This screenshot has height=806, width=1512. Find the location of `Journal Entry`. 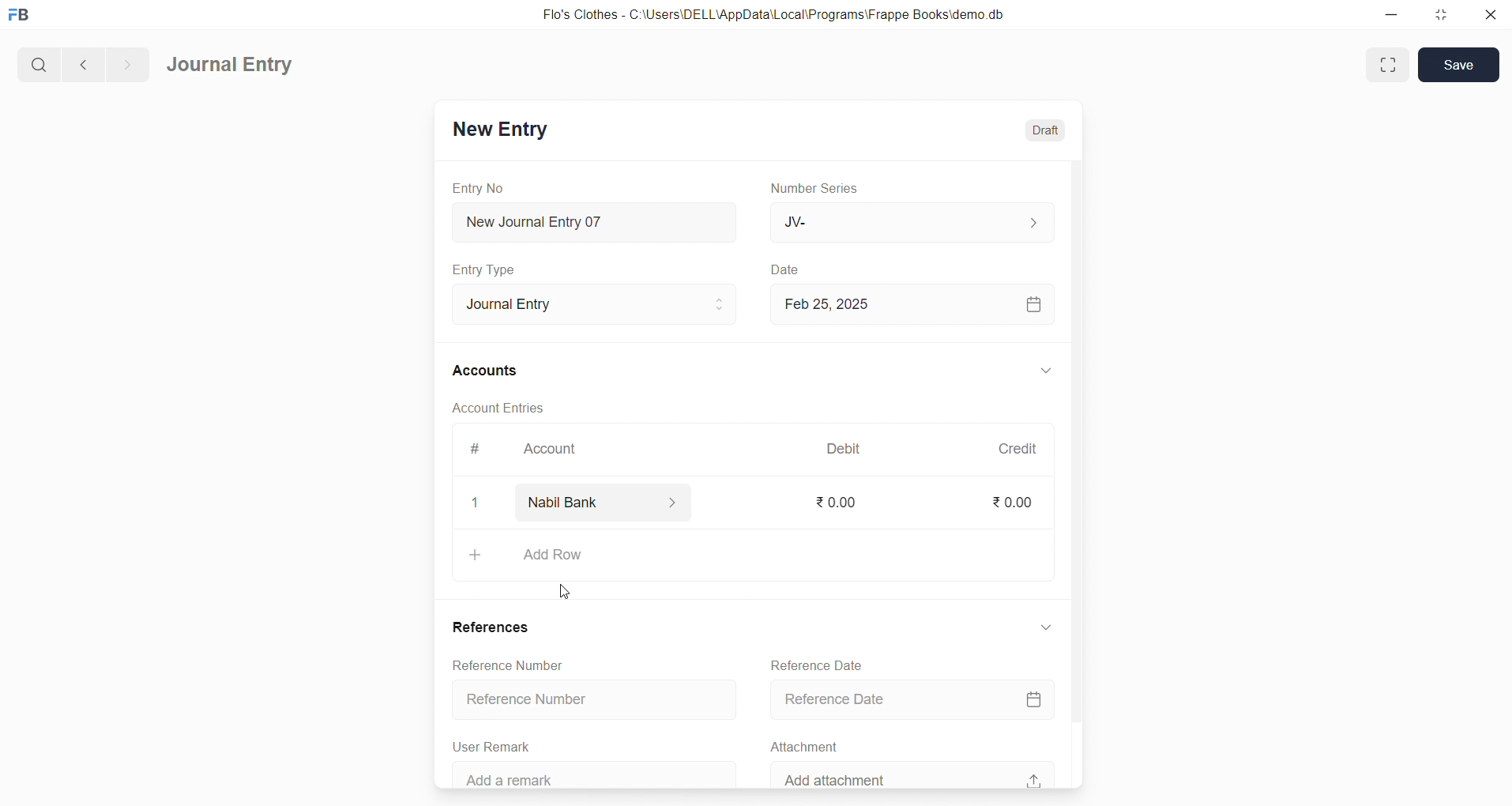

Journal Entry is located at coordinates (589, 304).